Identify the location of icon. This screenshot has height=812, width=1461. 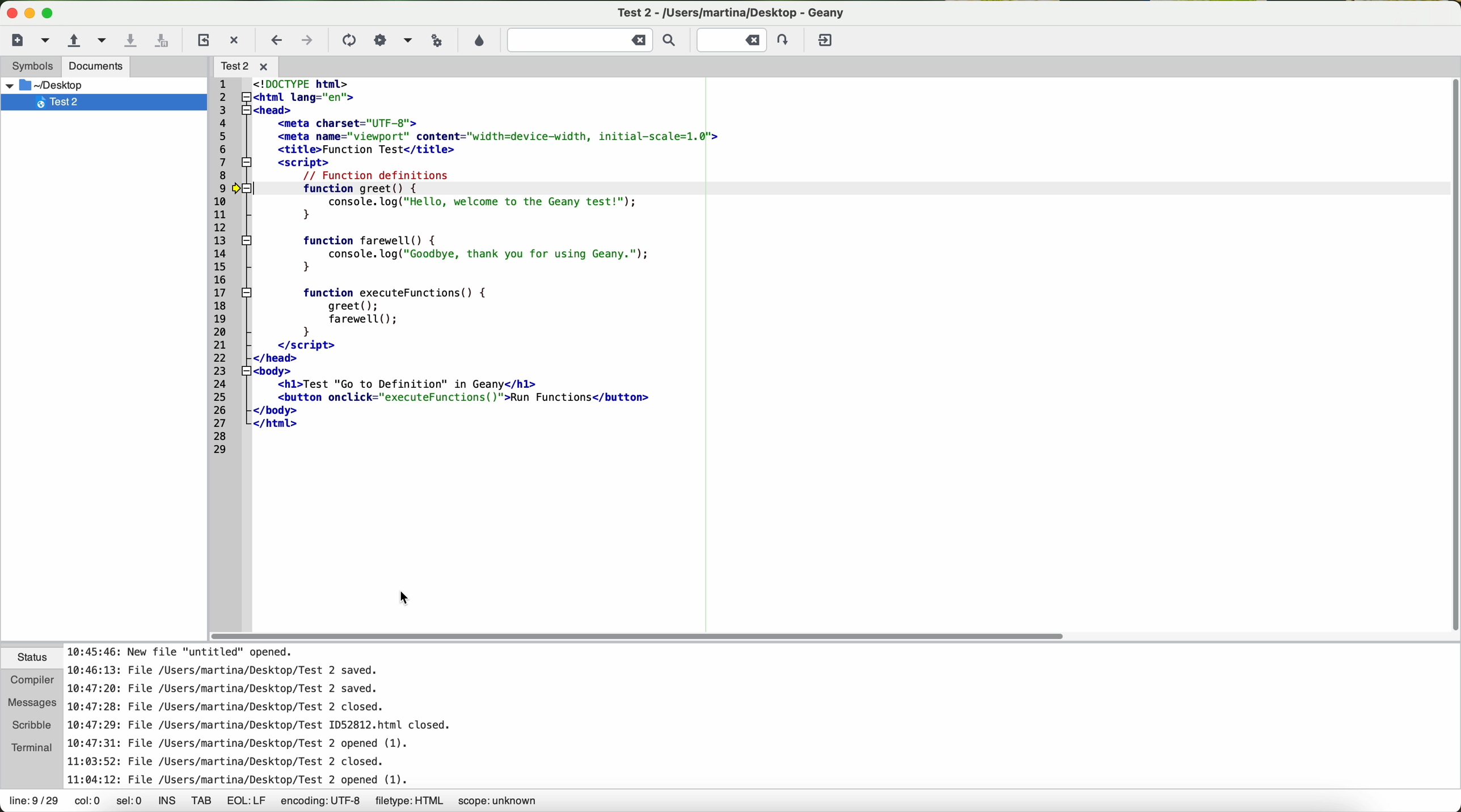
(380, 40).